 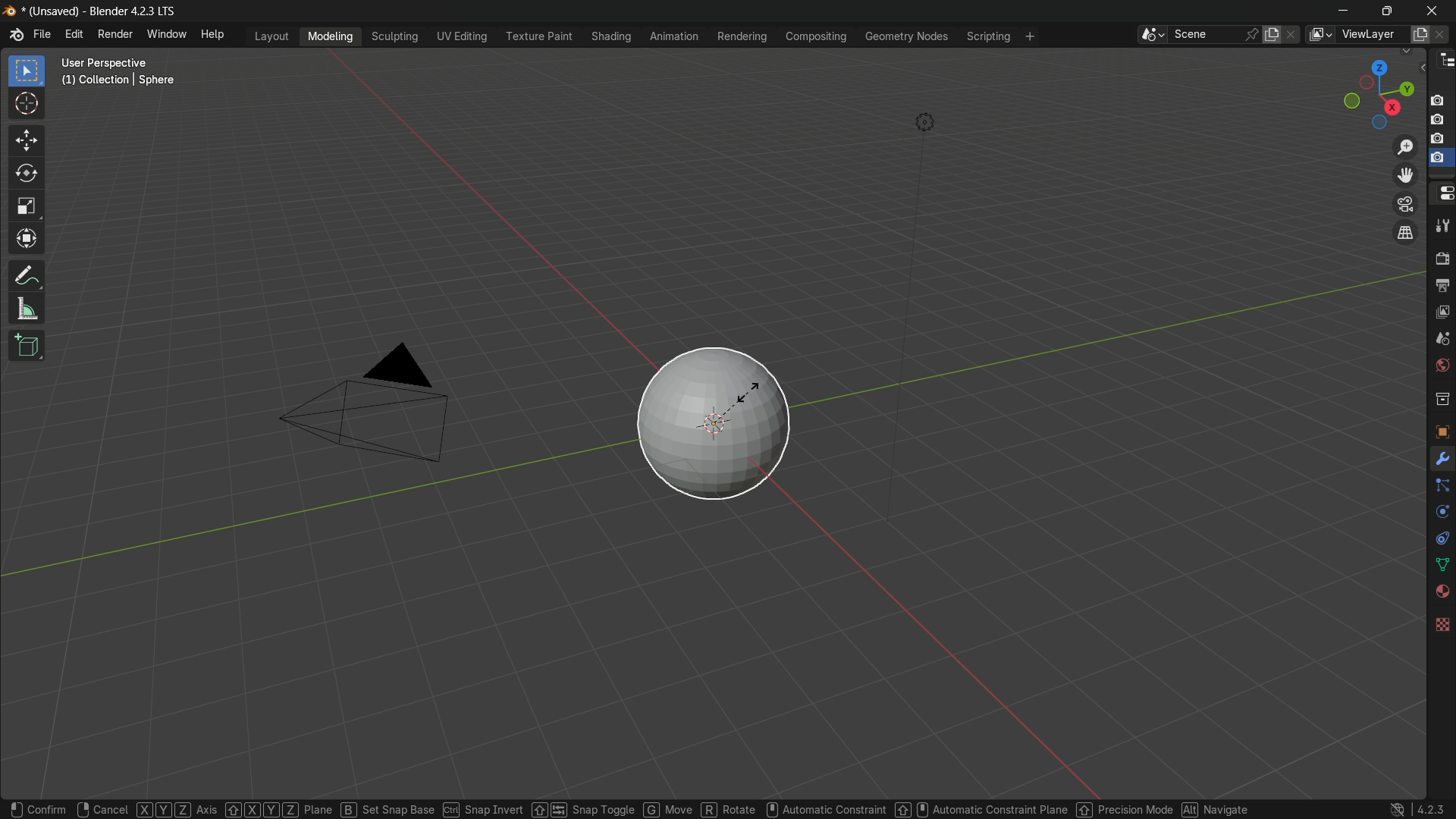 What do you see at coordinates (608, 35) in the screenshot?
I see `shading menu` at bounding box center [608, 35].